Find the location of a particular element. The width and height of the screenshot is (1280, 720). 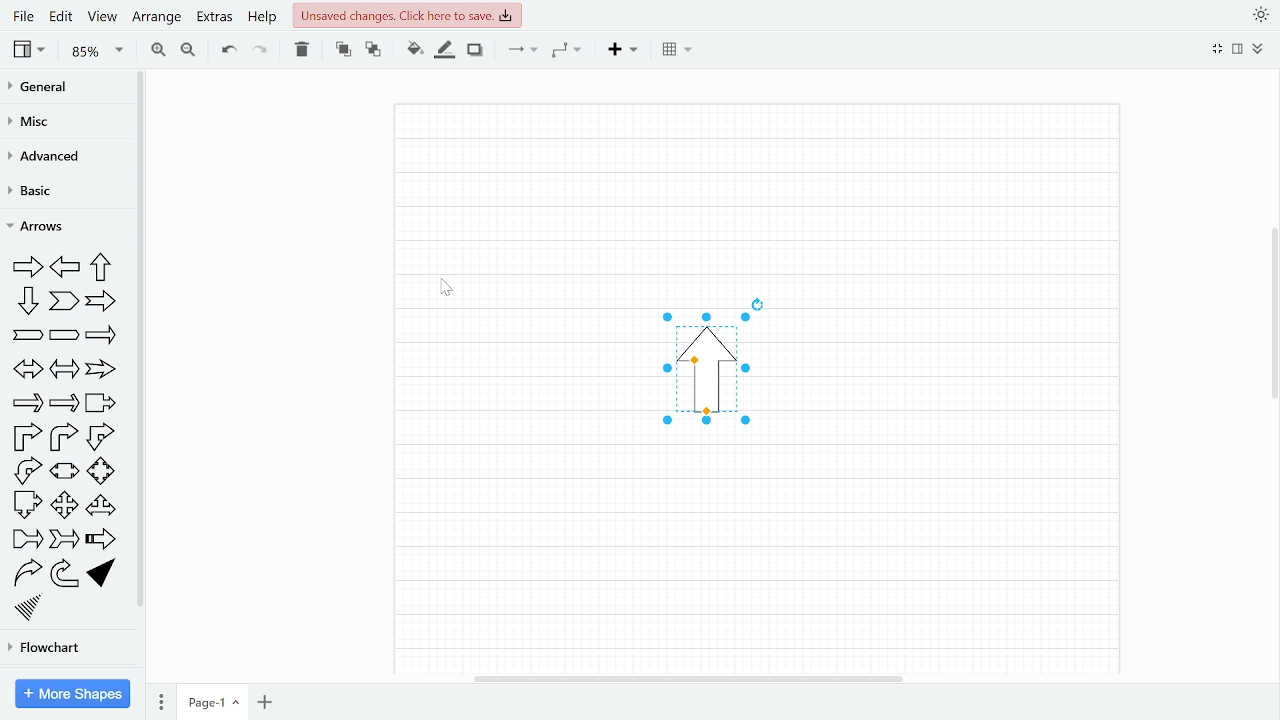

Help is located at coordinates (264, 17).